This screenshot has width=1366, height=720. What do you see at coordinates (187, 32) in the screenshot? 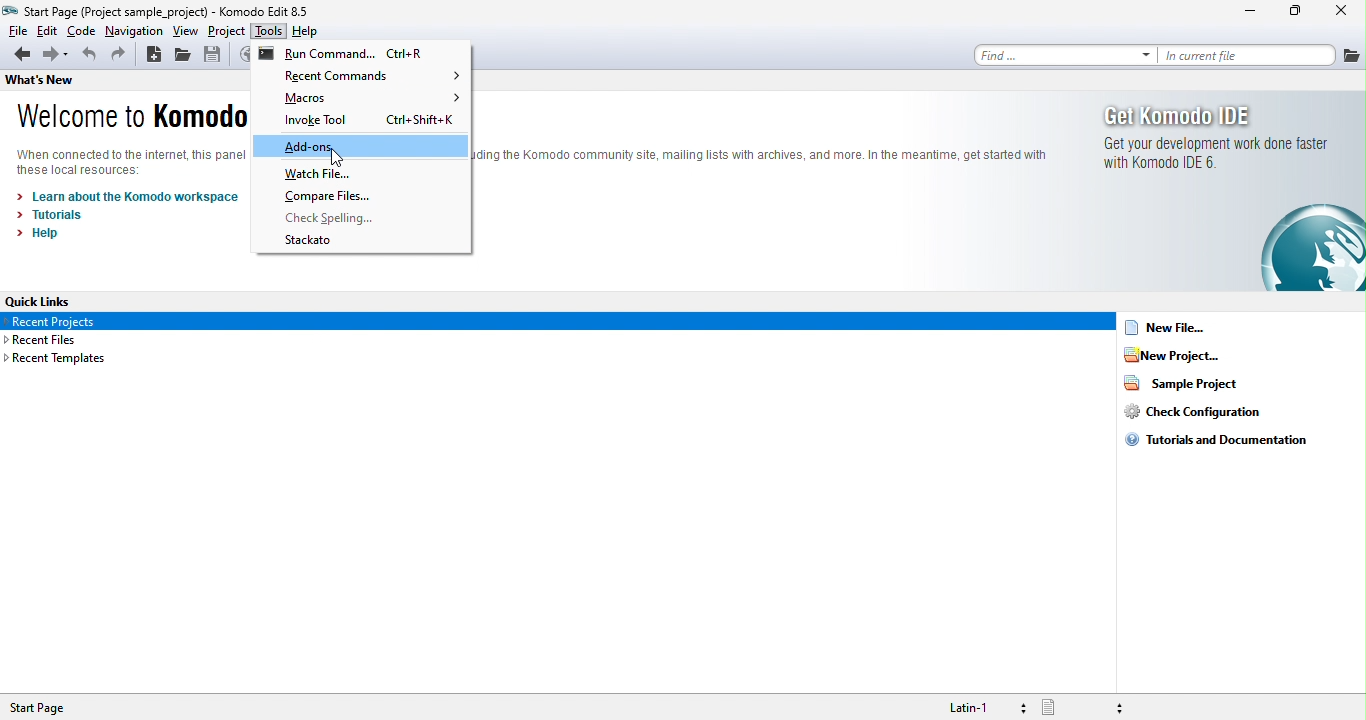
I see `view` at bounding box center [187, 32].